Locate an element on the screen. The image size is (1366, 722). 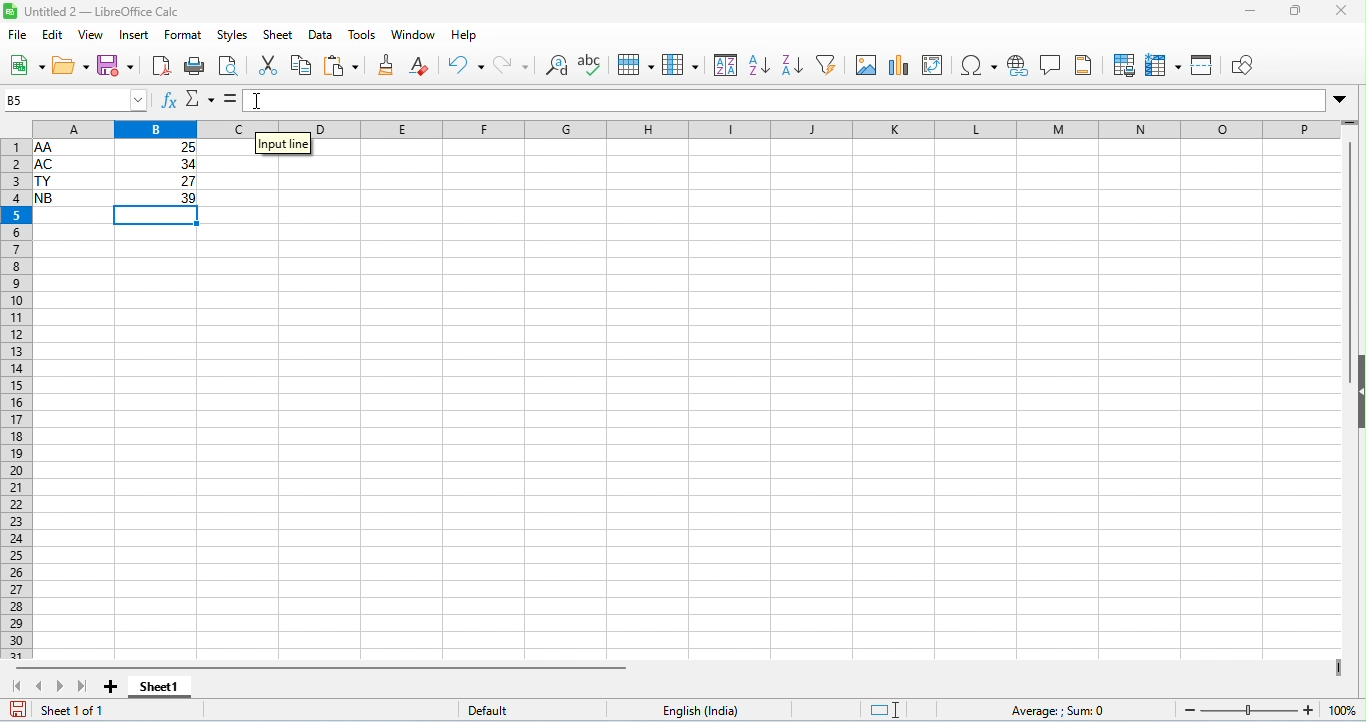
file is located at coordinates (19, 36).